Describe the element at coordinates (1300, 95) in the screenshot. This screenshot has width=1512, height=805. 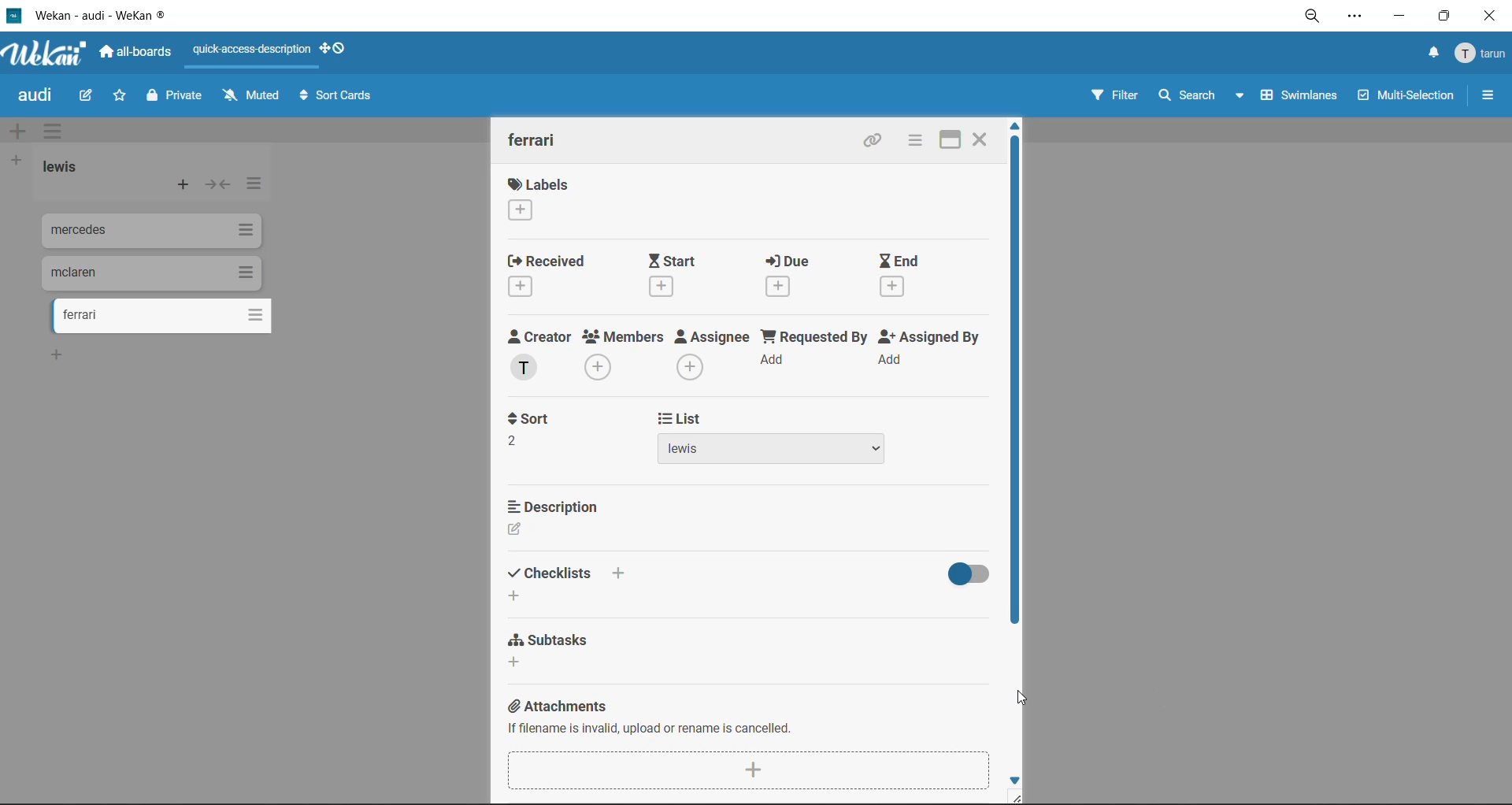
I see `swimlanes` at that location.